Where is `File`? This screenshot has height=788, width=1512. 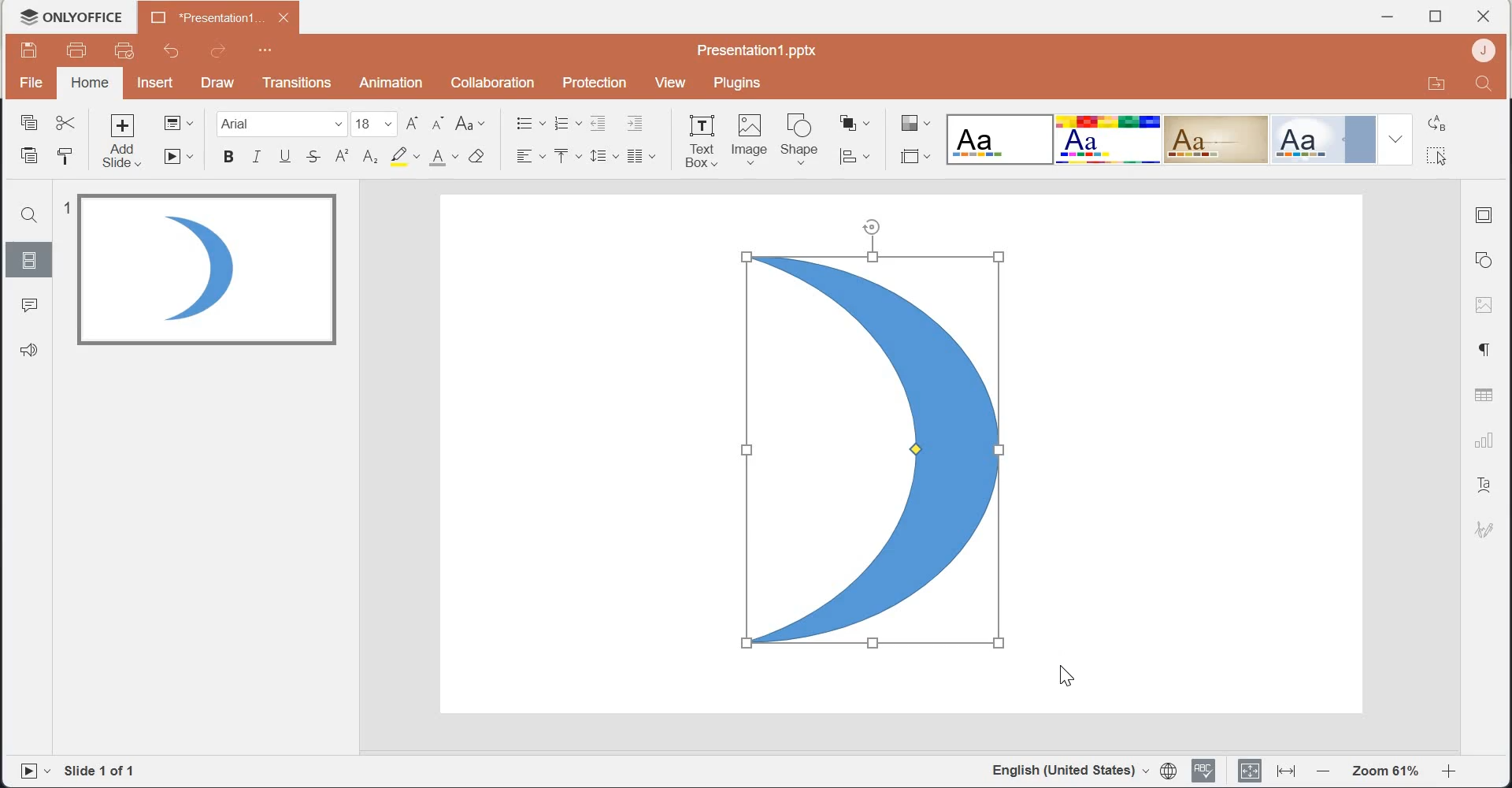
File is located at coordinates (33, 81).